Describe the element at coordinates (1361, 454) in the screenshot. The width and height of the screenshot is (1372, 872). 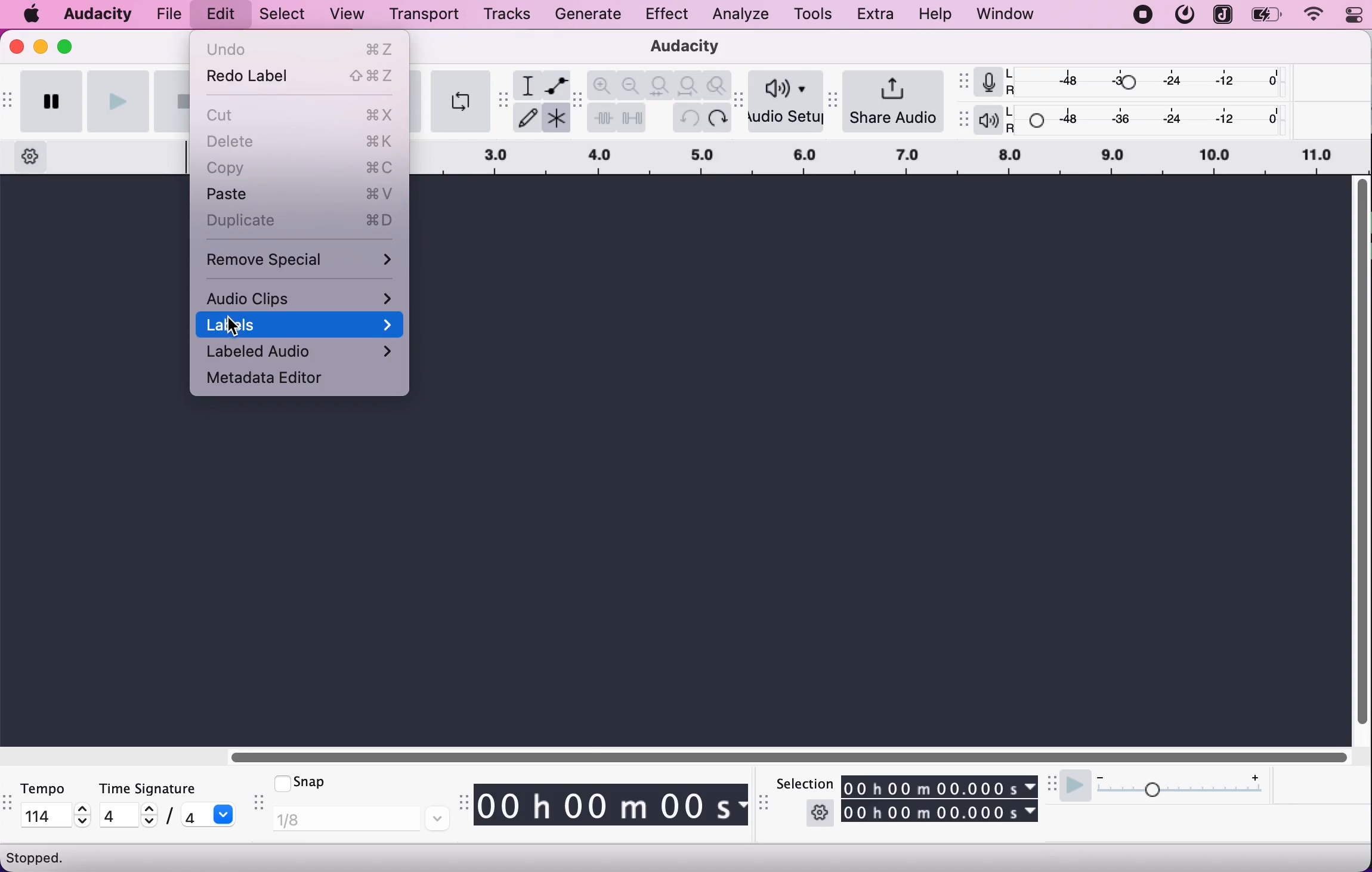
I see `vertical slider` at that location.